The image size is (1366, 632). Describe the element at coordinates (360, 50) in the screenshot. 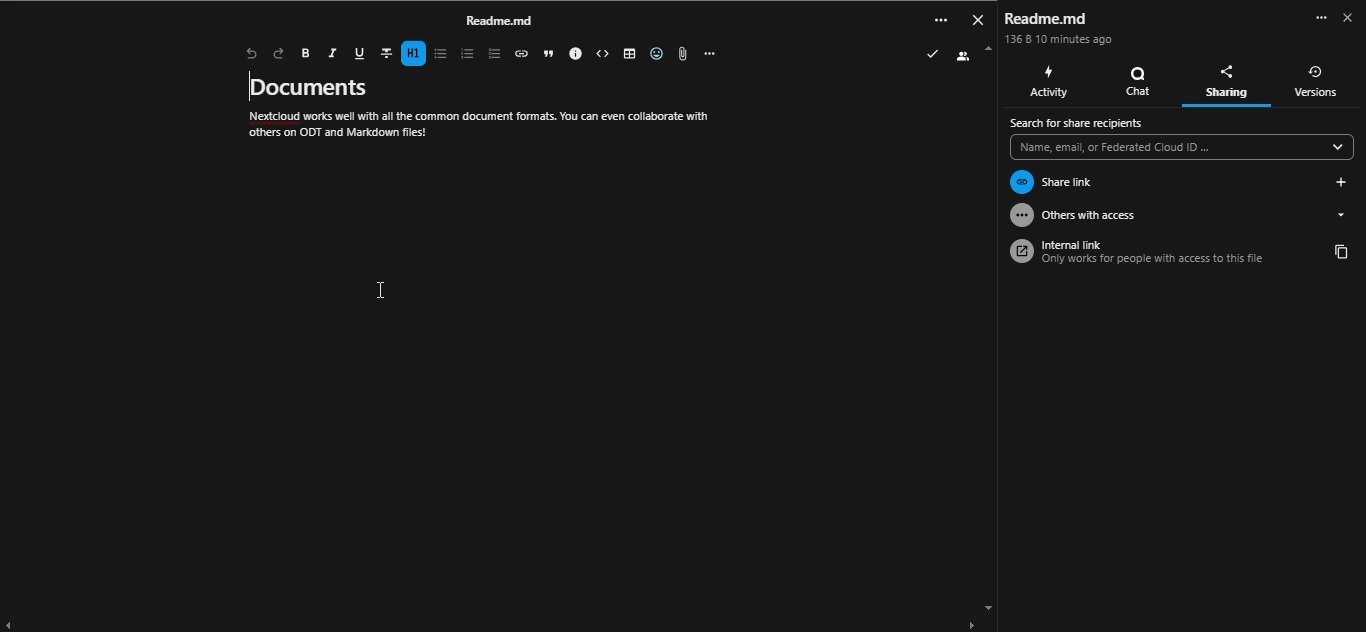

I see `underline` at that location.